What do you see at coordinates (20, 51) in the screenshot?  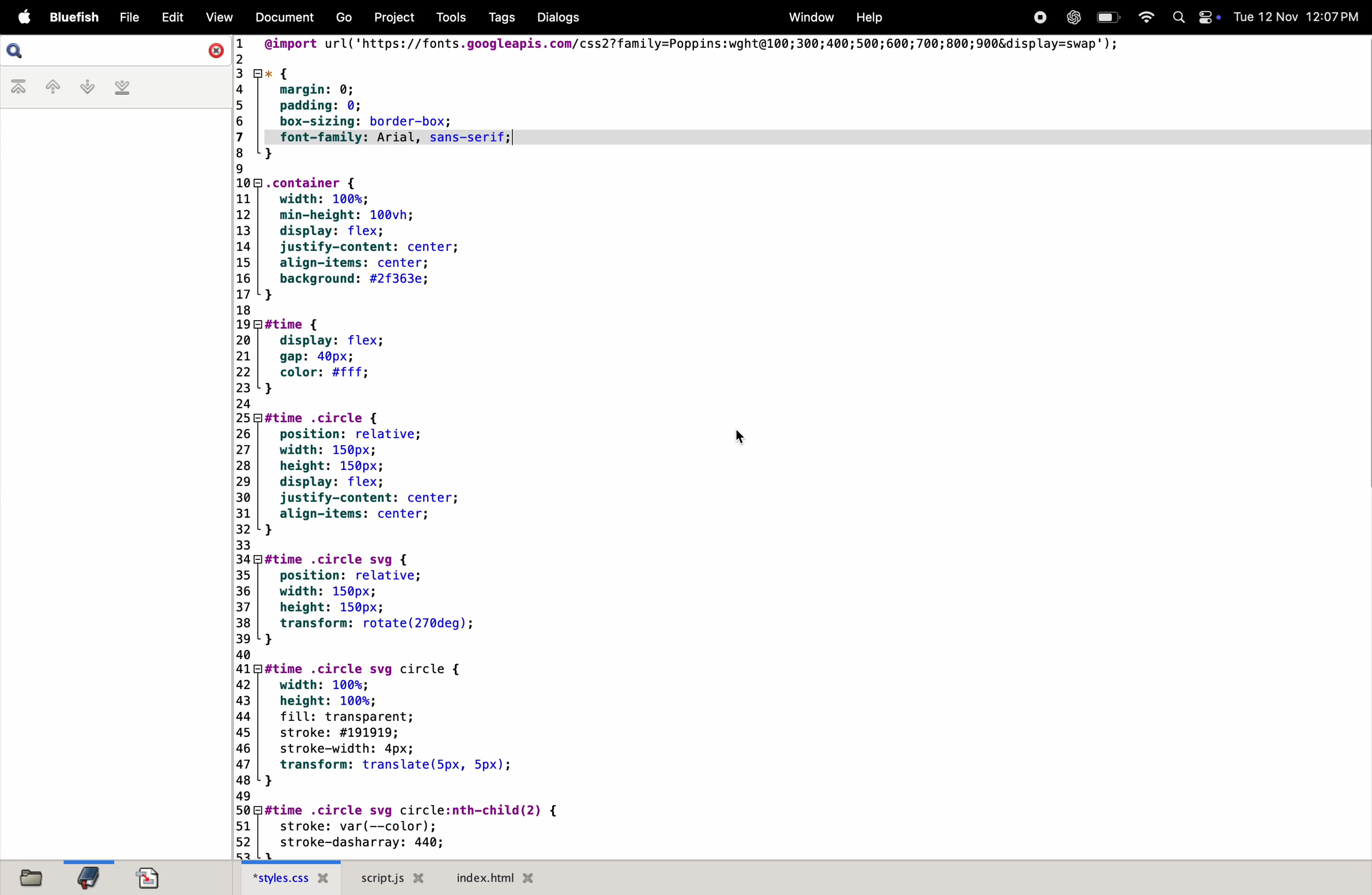 I see `search` at bounding box center [20, 51].